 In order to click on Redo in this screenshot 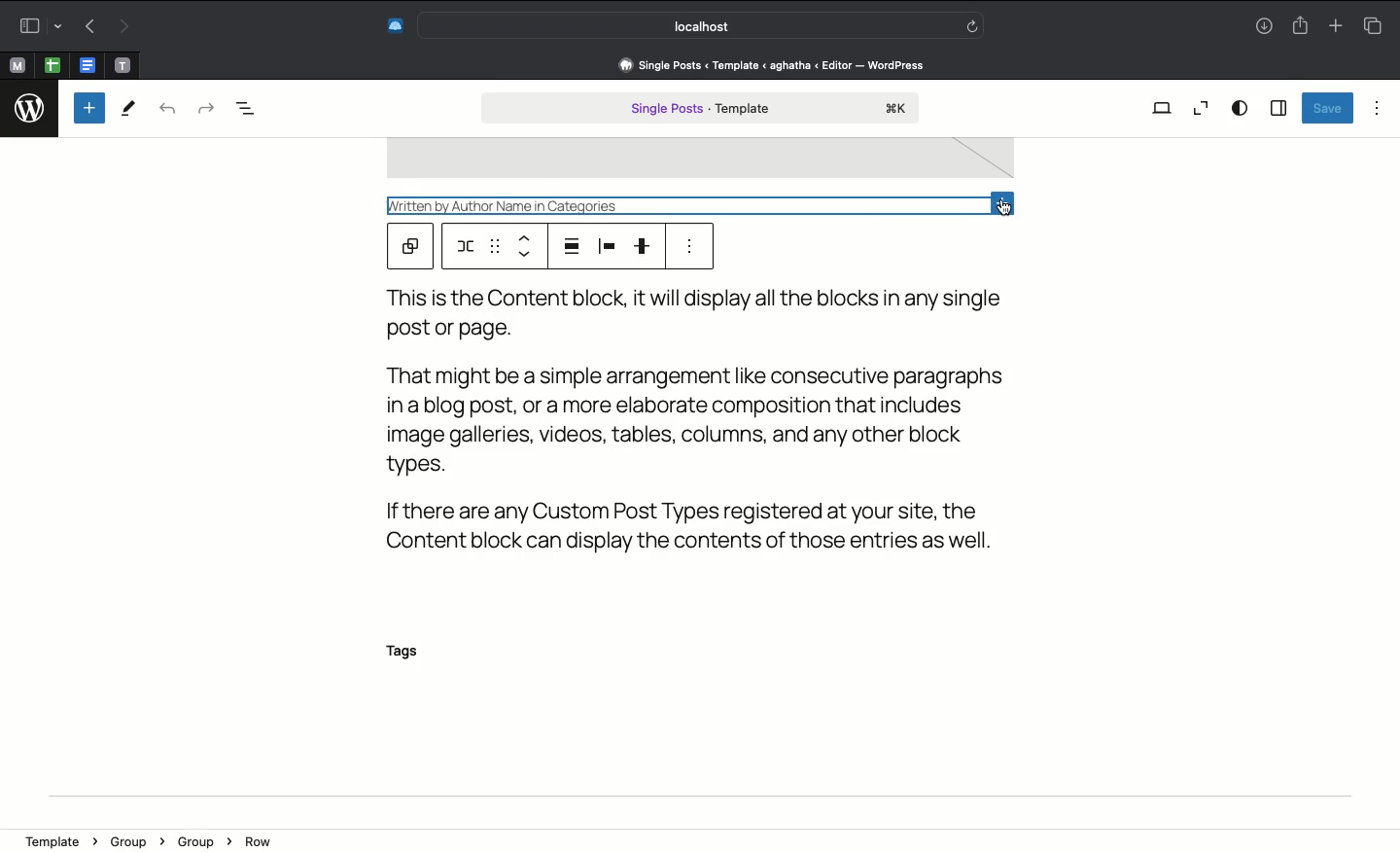, I will do `click(204, 107)`.